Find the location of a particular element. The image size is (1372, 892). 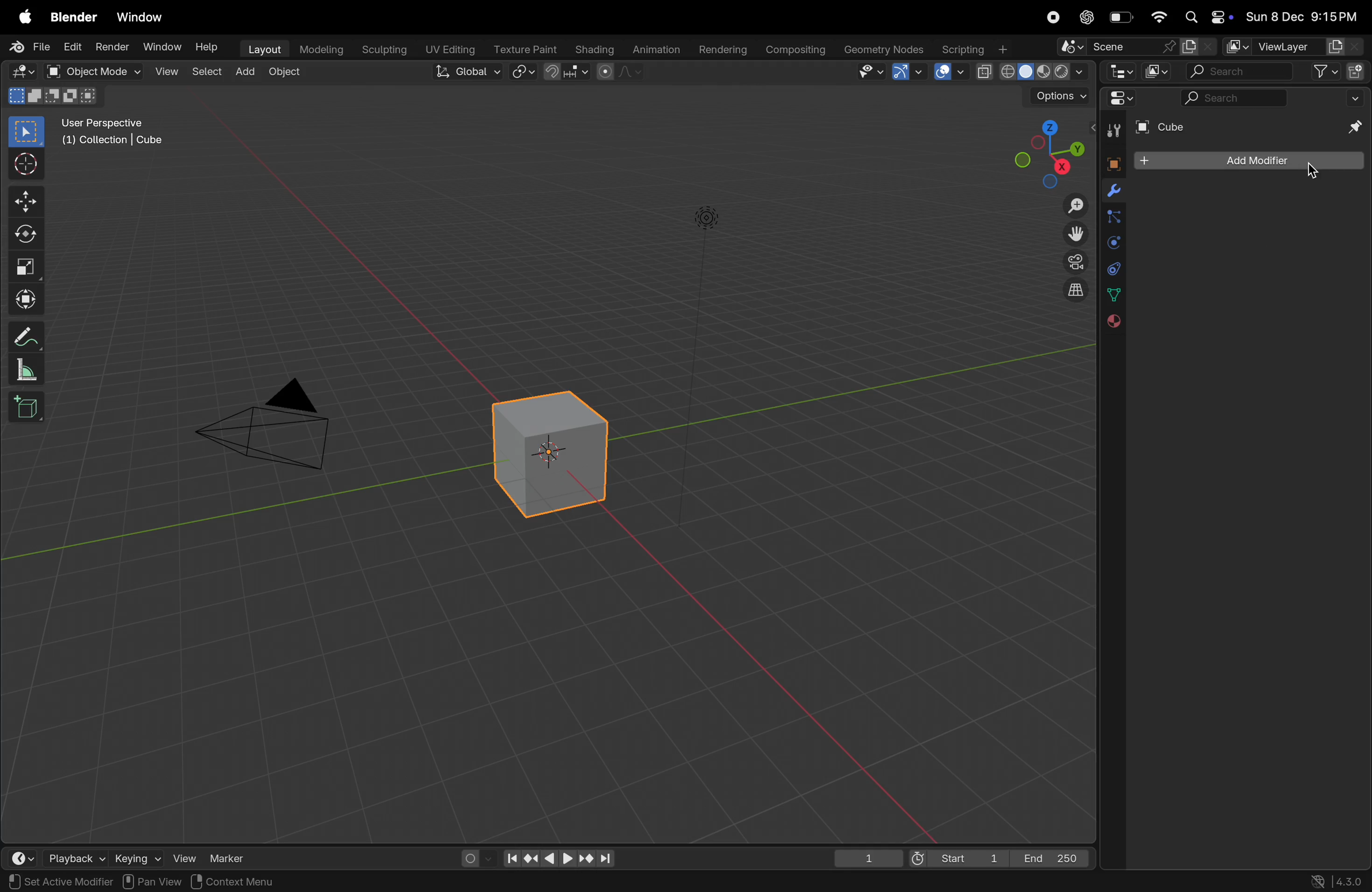

apple widgets is located at coordinates (1205, 18).